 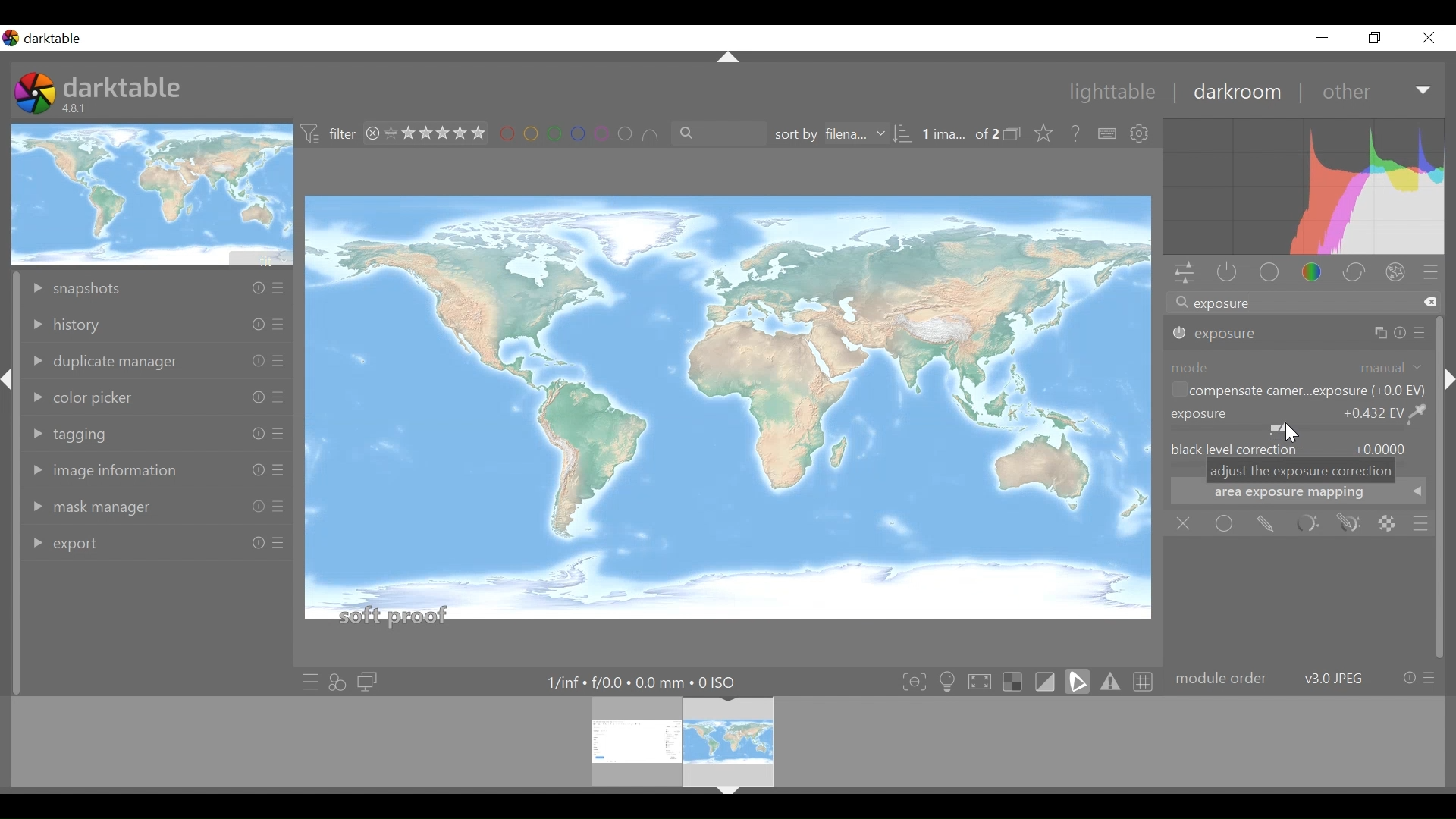 What do you see at coordinates (1299, 447) in the screenshot?
I see `black level correction` at bounding box center [1299, 447].